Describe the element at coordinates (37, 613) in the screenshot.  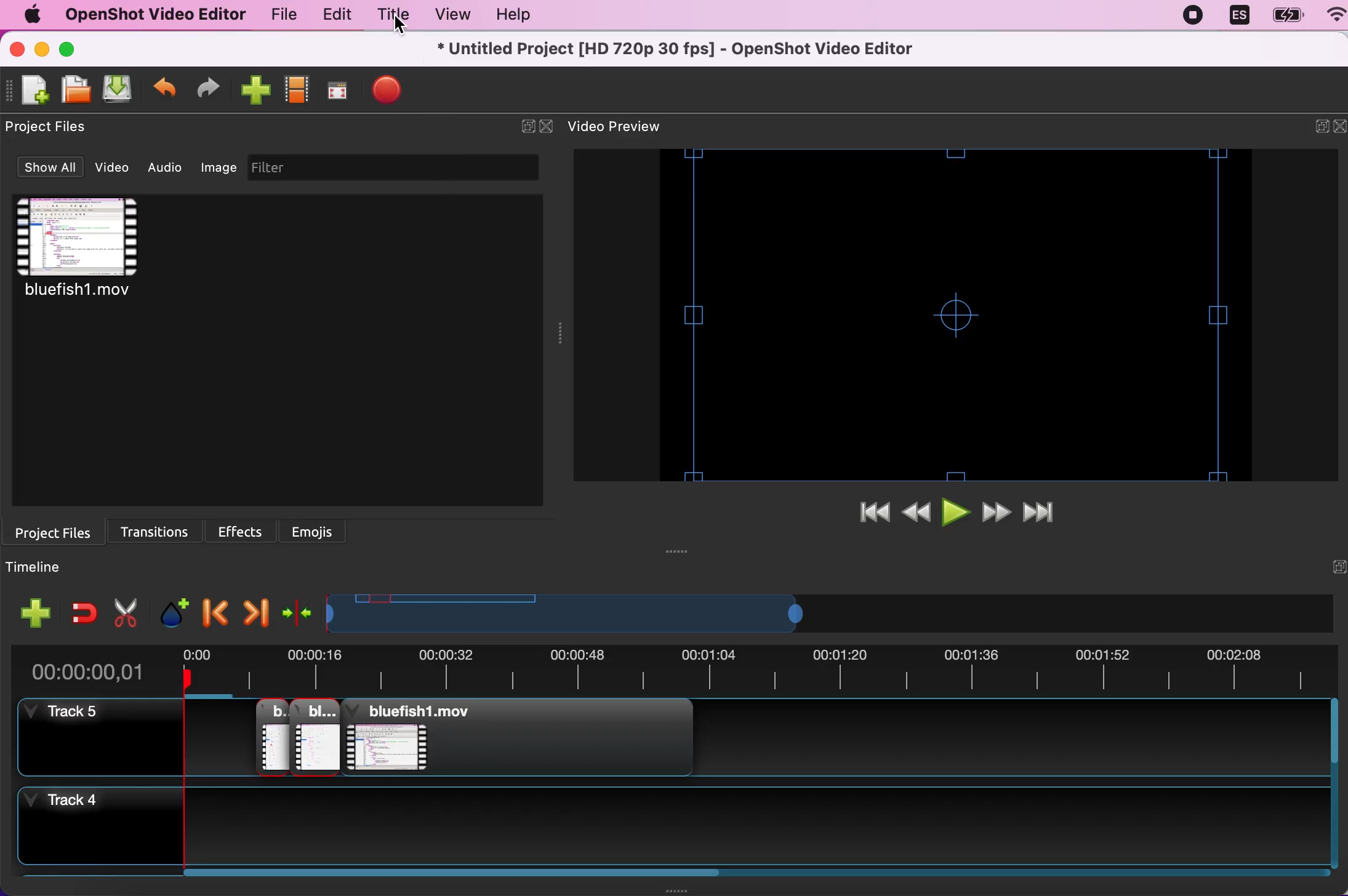
I see `add track` at that location.